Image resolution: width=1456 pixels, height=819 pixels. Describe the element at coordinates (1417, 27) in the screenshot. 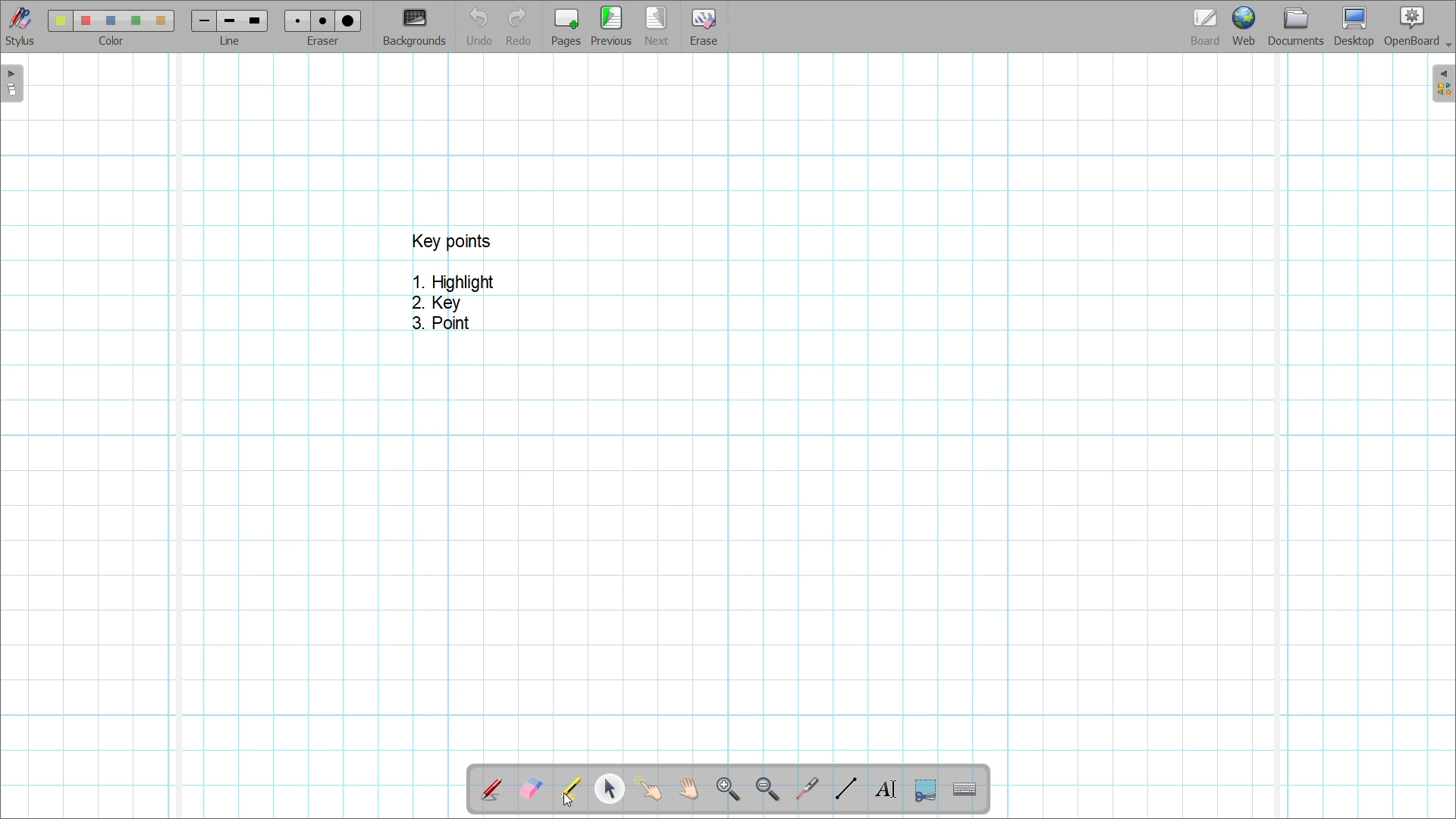

I see `OpenBoard` at that location.